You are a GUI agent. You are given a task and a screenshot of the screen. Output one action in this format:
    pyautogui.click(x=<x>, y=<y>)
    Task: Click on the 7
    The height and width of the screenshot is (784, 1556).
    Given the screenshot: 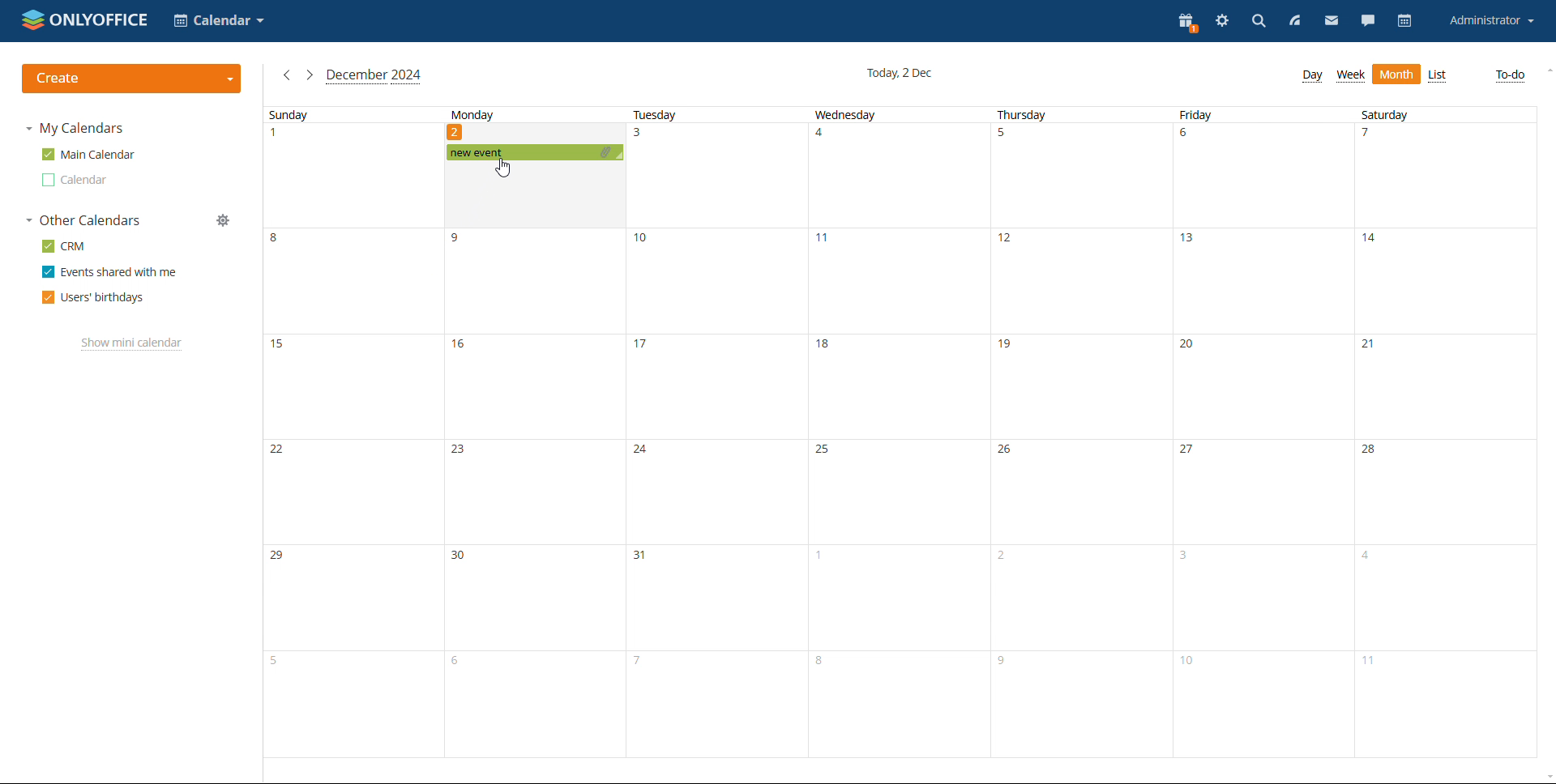 What is the action you would take?
    pyautogui.click(x=1374, y=137)
    